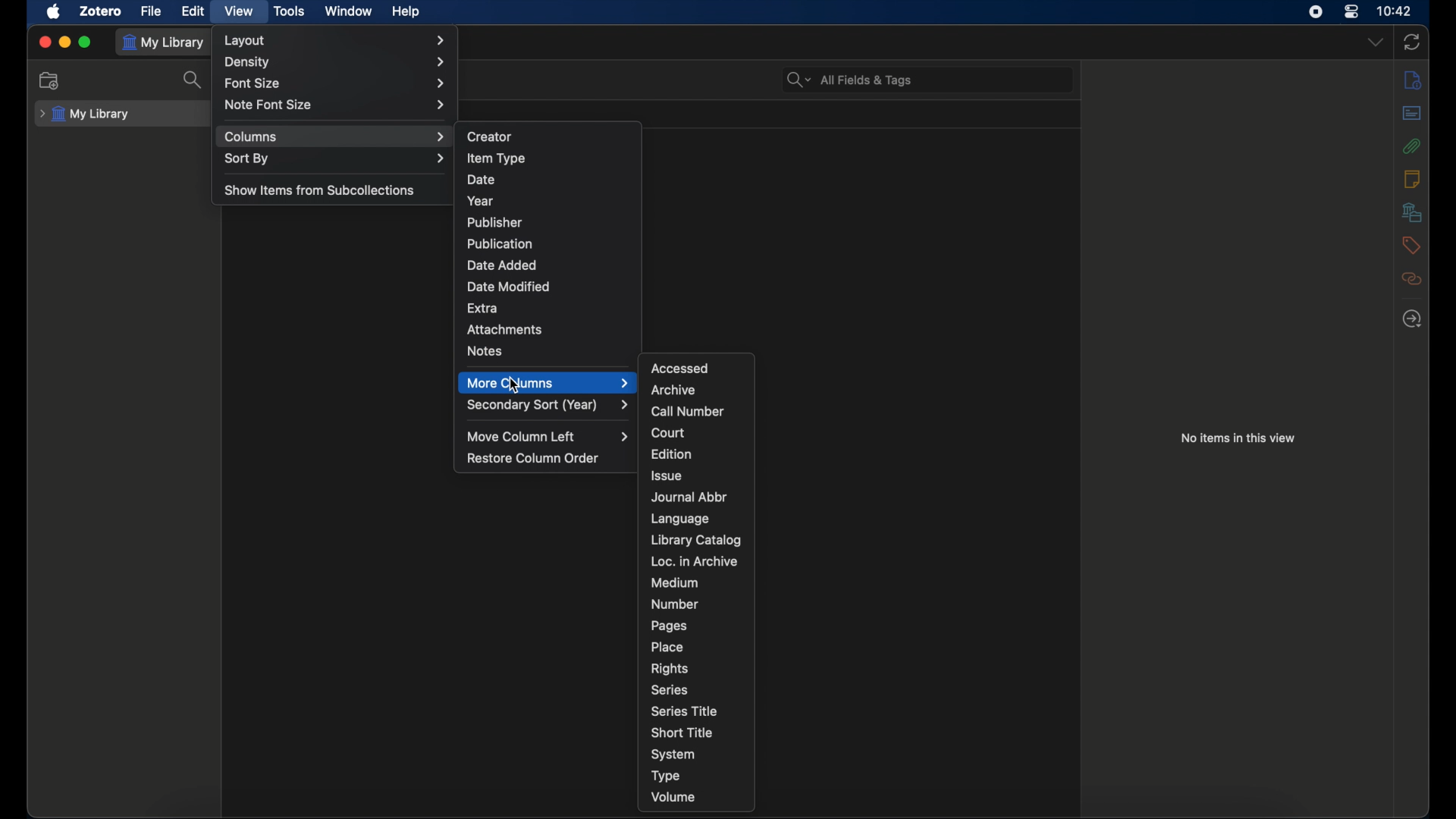 The width and height of the screenshot is (1456, 819). What do you see at coordinates (686, 711) in the screenshot?
I see `series title` at bounding box center [686, 711].